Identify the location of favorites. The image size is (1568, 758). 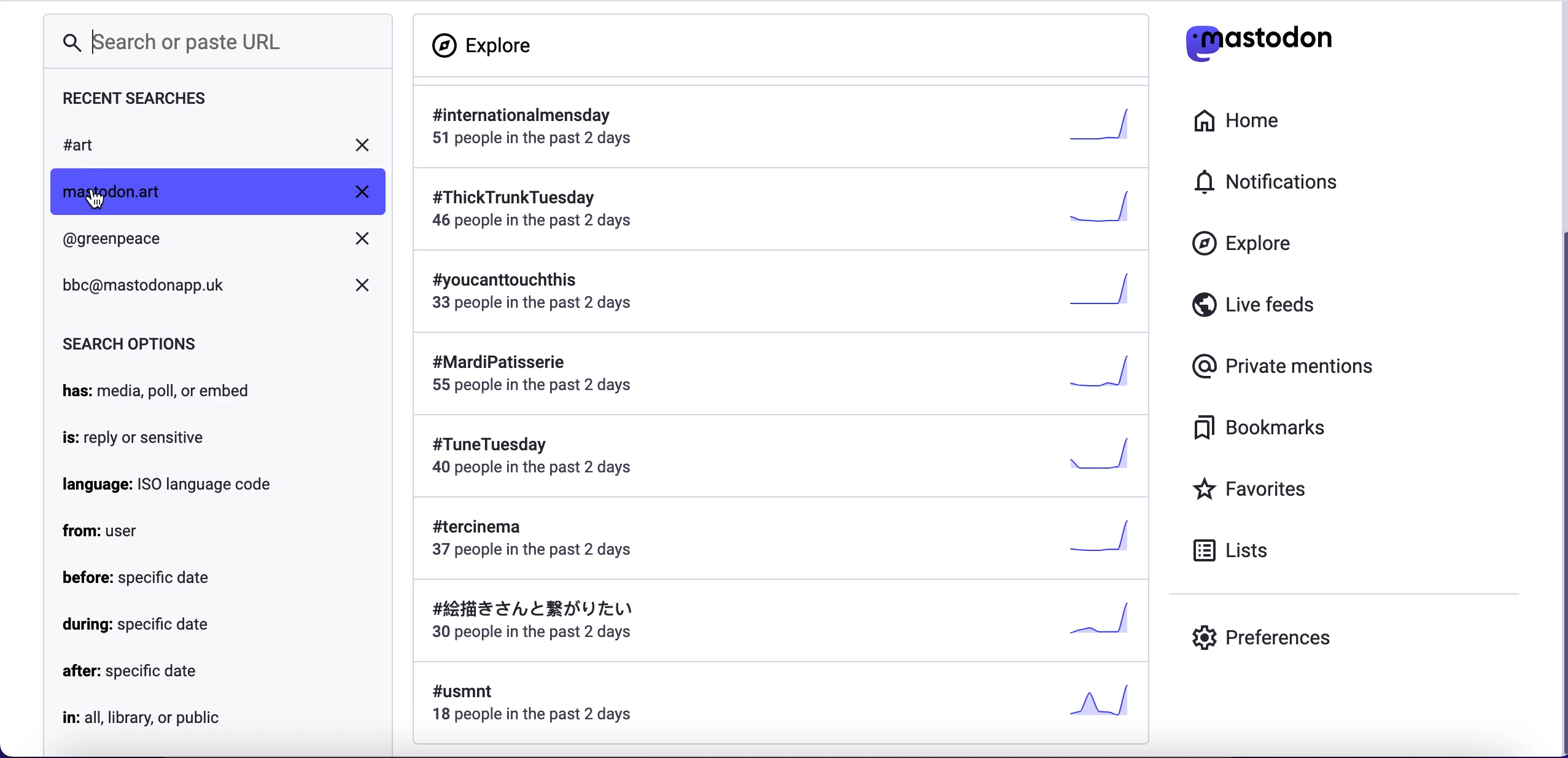
(1252, 488).